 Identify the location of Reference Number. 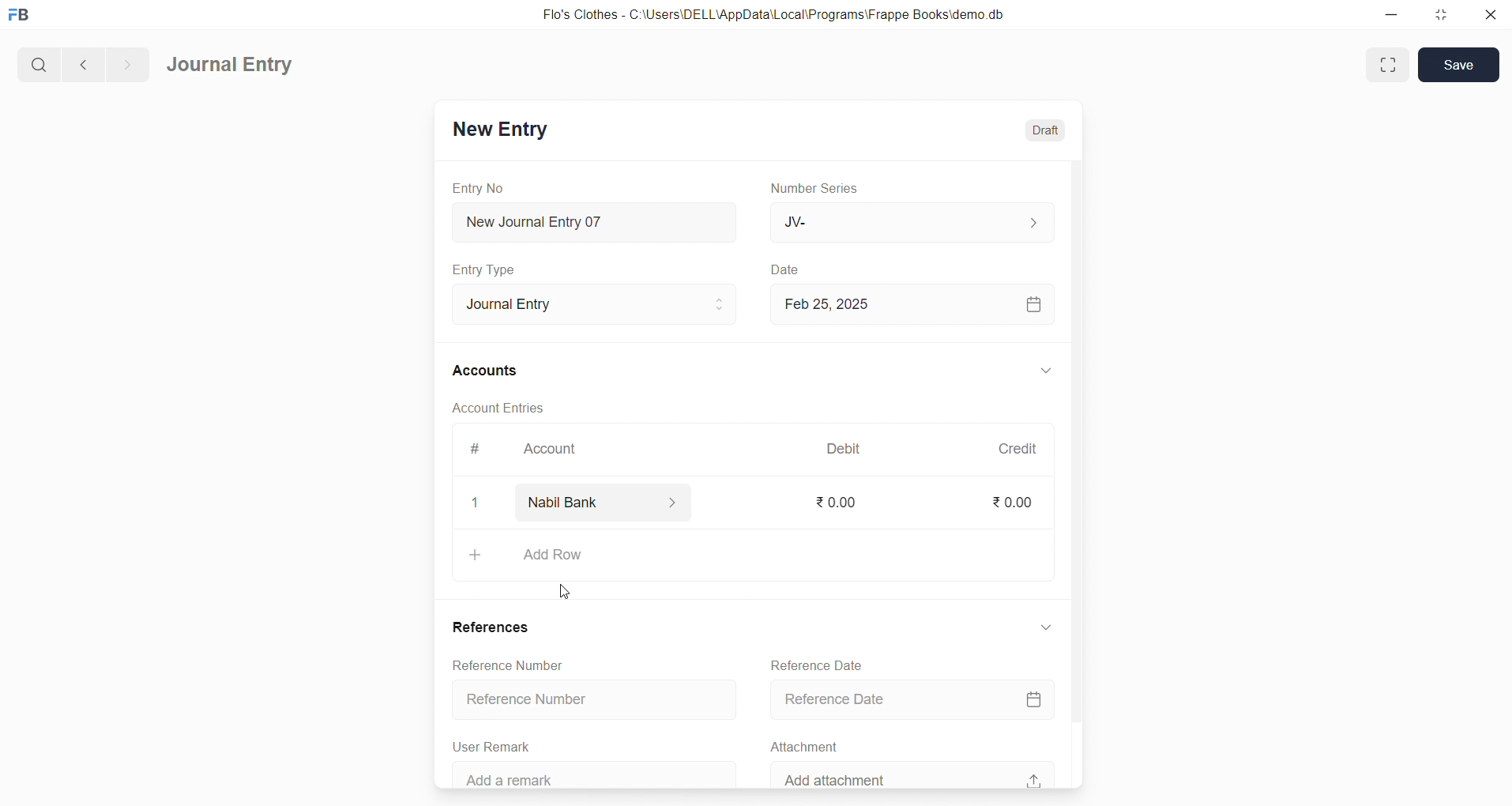
(588, 701).